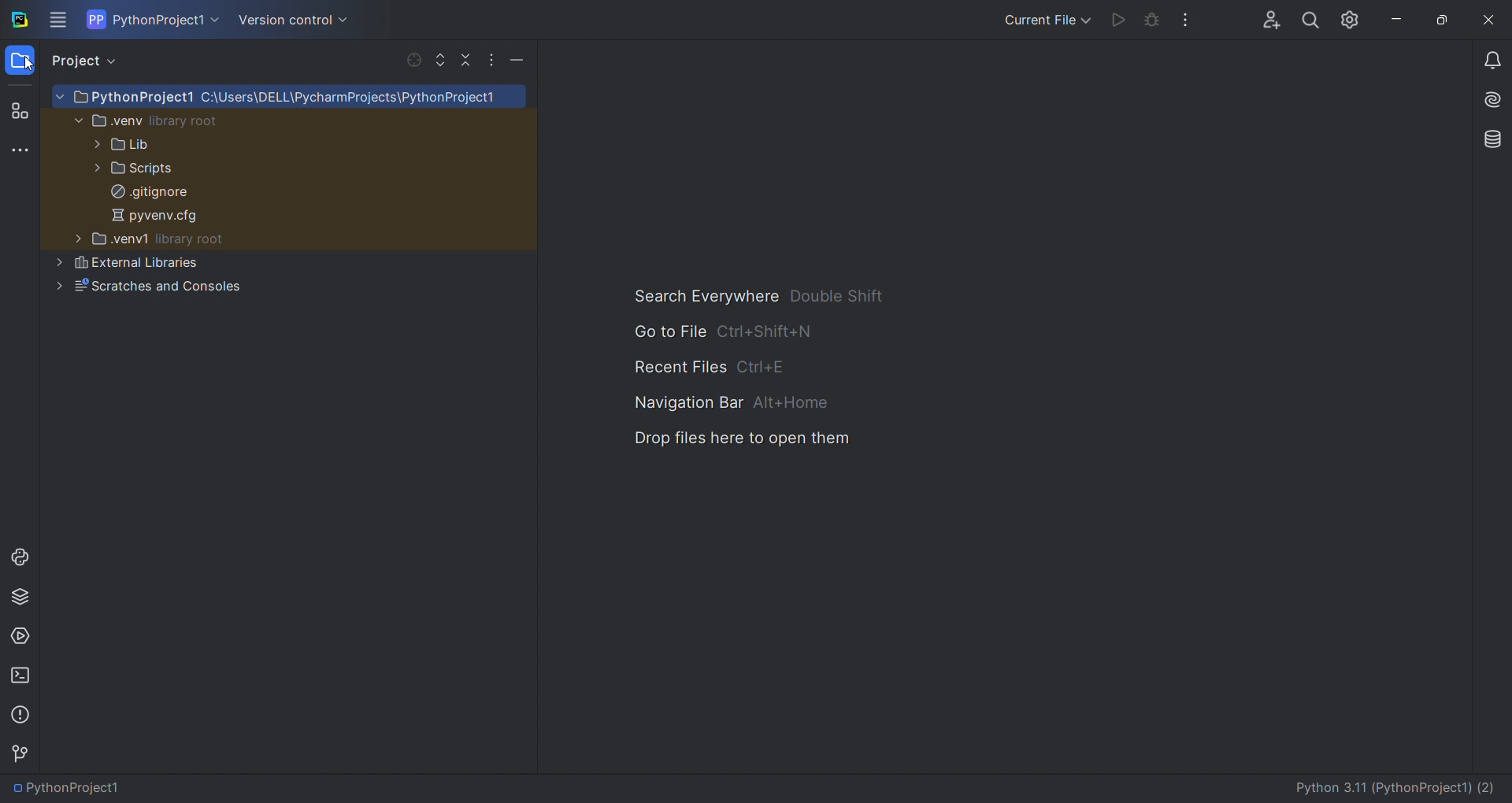 The image size is (1512, 803). Describe the element at coordinates (519, 59) in the screenshot. I see `minimize` at that location.